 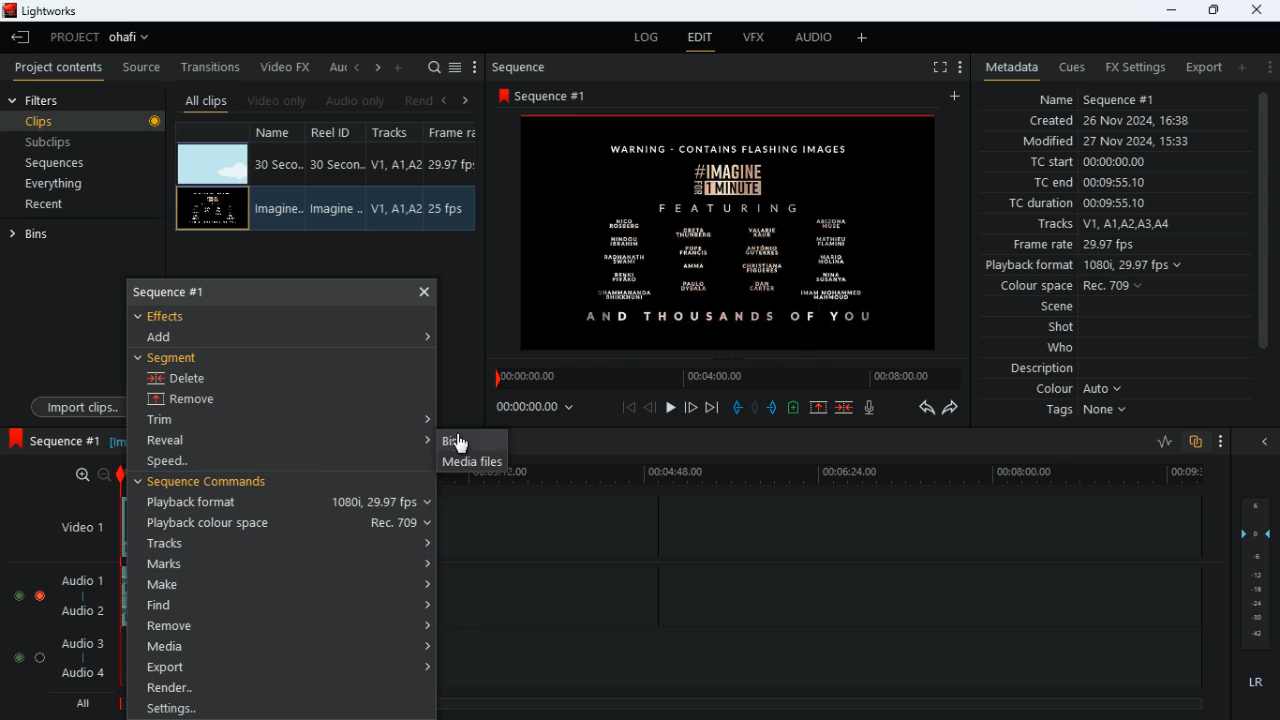 What do you see at coordinates (213, 63) in the screenshot?
I see `transitions` at bounding box center [213, 63].